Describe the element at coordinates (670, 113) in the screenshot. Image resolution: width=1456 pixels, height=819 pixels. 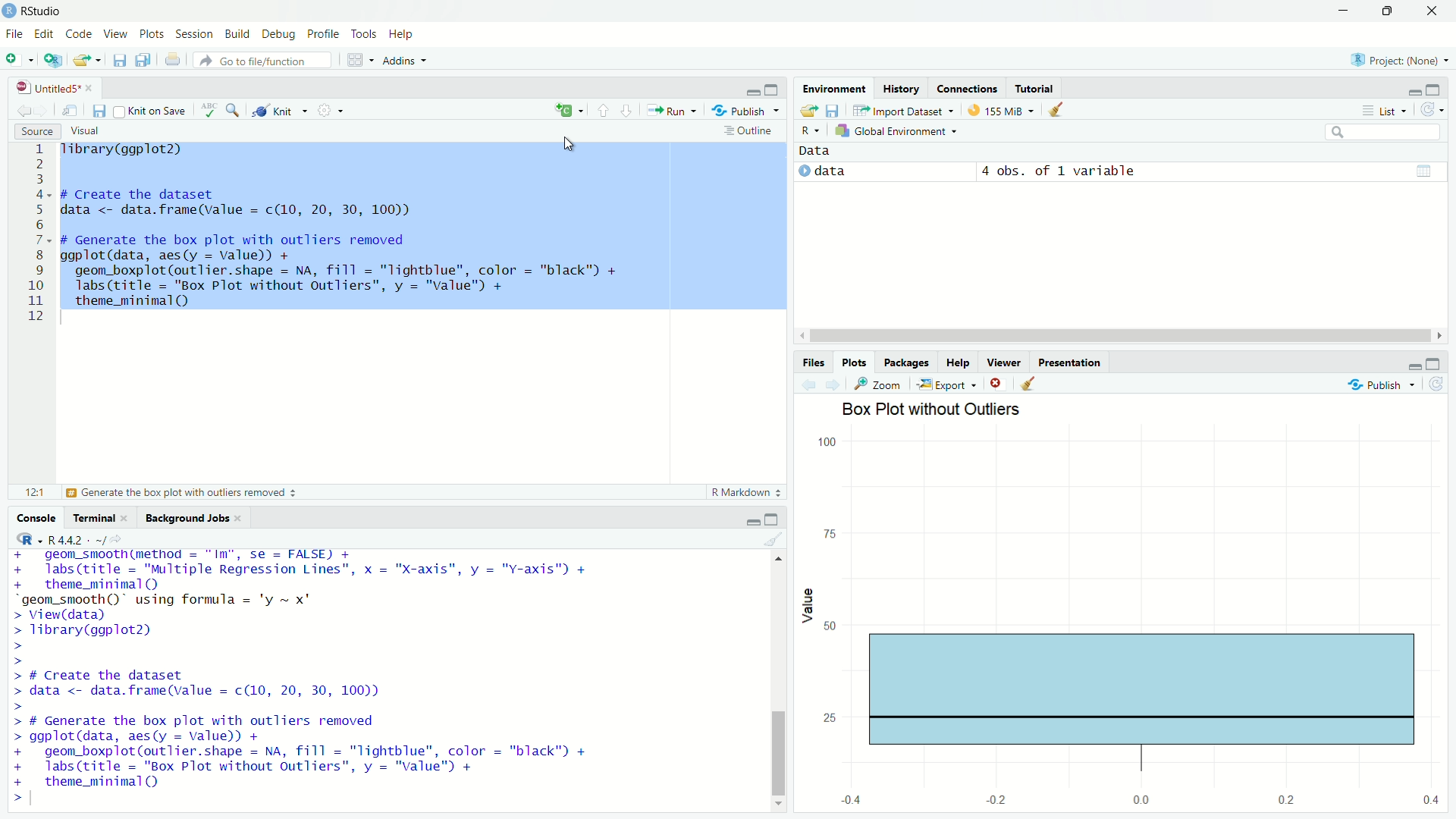
I see `** Run` at that location.